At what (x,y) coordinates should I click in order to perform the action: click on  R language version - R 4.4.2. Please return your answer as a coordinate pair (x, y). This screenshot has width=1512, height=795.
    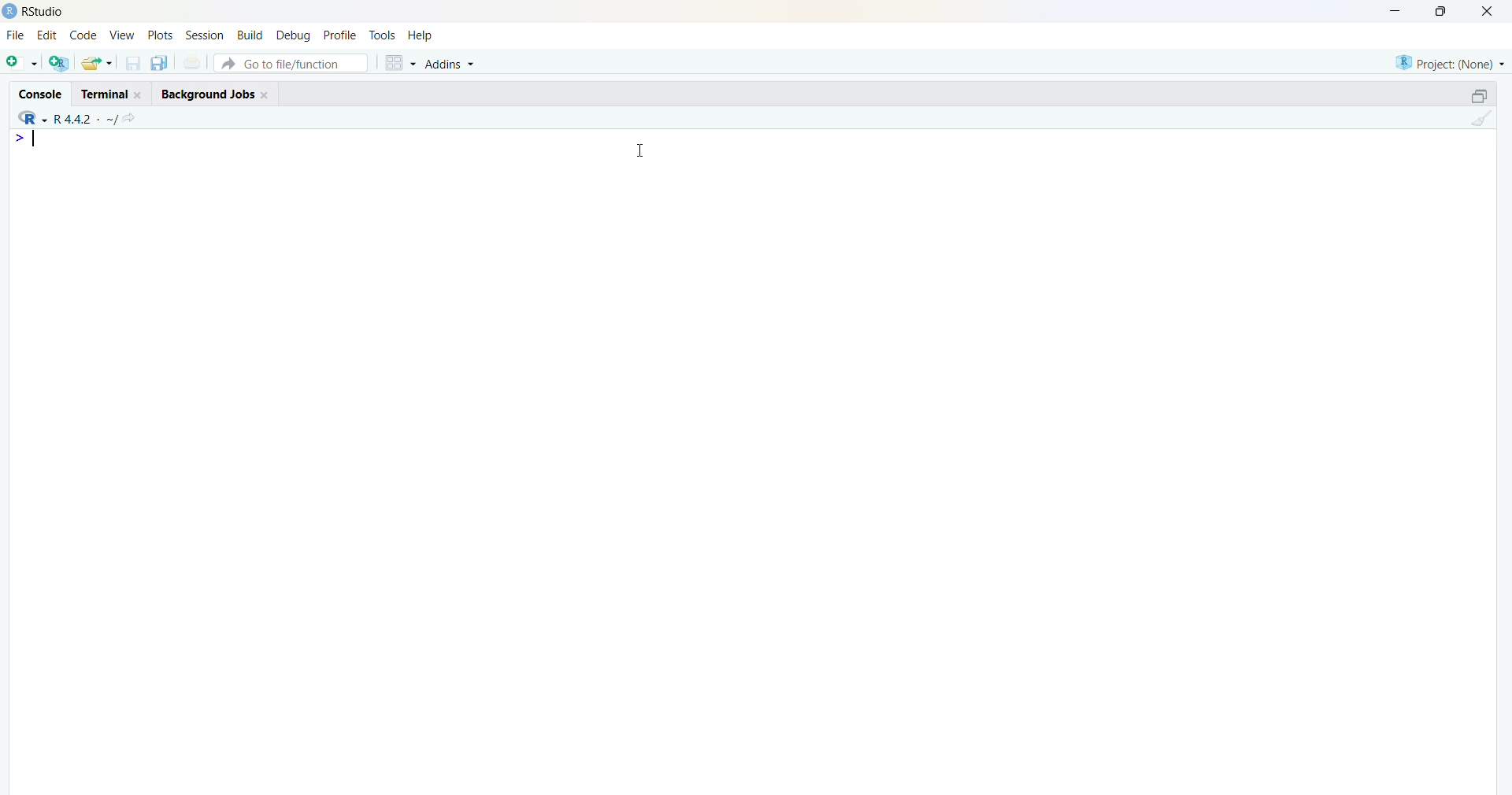
    Looking at the image, I should click on (82, 118).